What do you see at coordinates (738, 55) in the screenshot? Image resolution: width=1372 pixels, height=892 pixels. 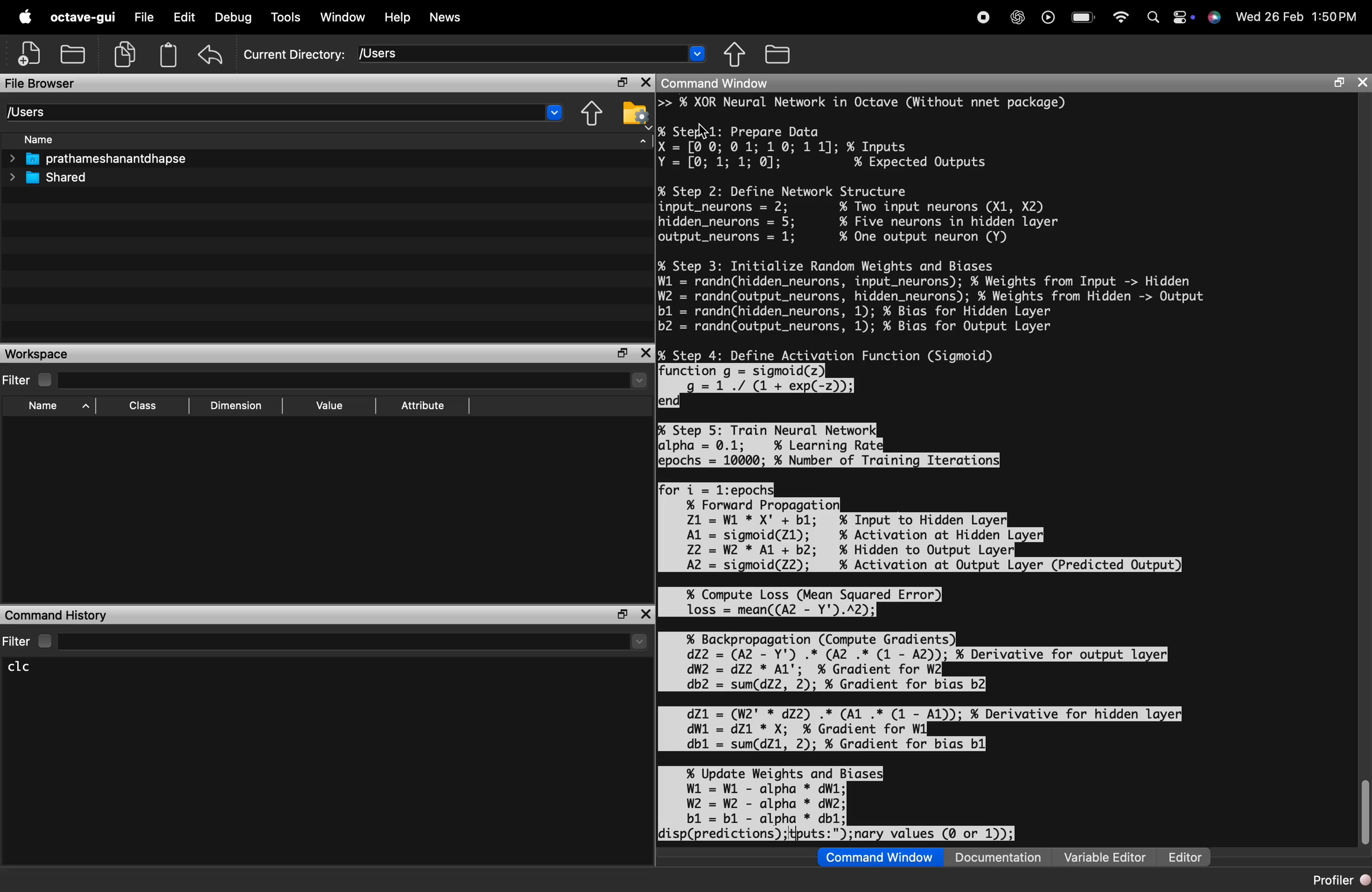 I see `one directory up` at bounding box center [738, 55].